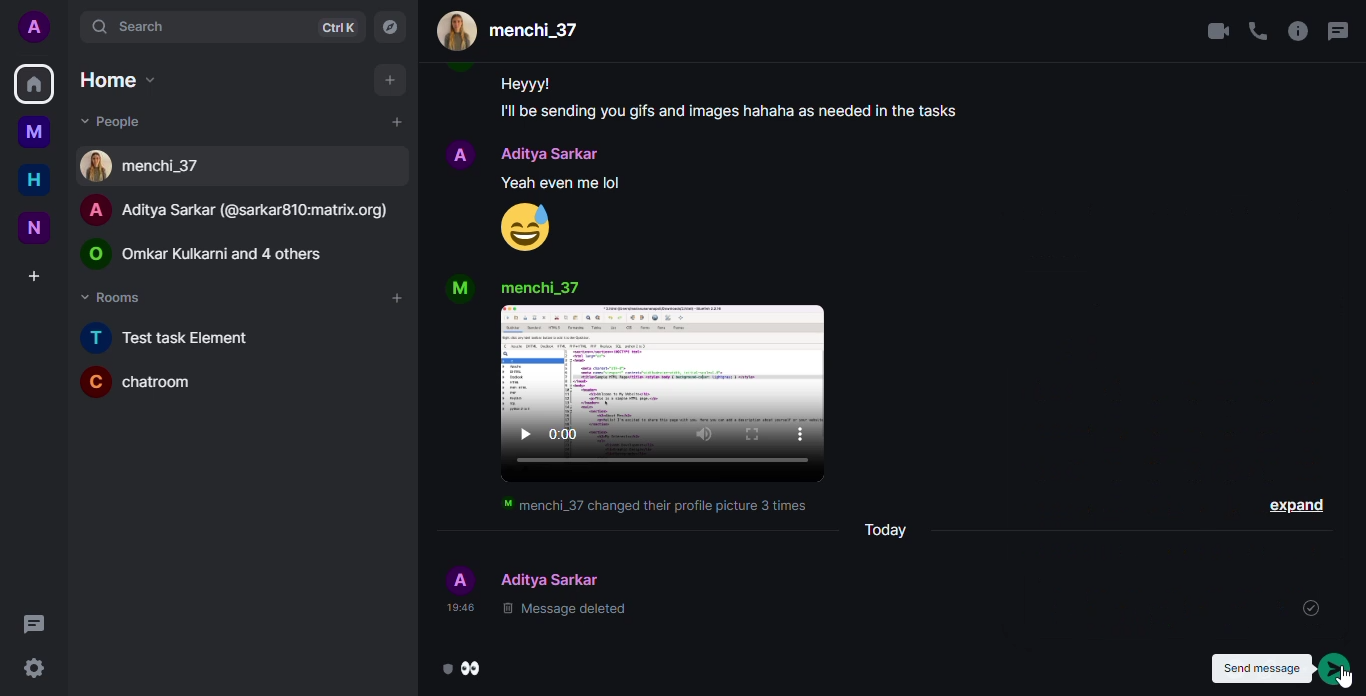 The height and width of the screenshot is (696, 1366). What do you see at coordinates (243, 210) in the screenshot?
I see `people` at bounding box center [243, 210].